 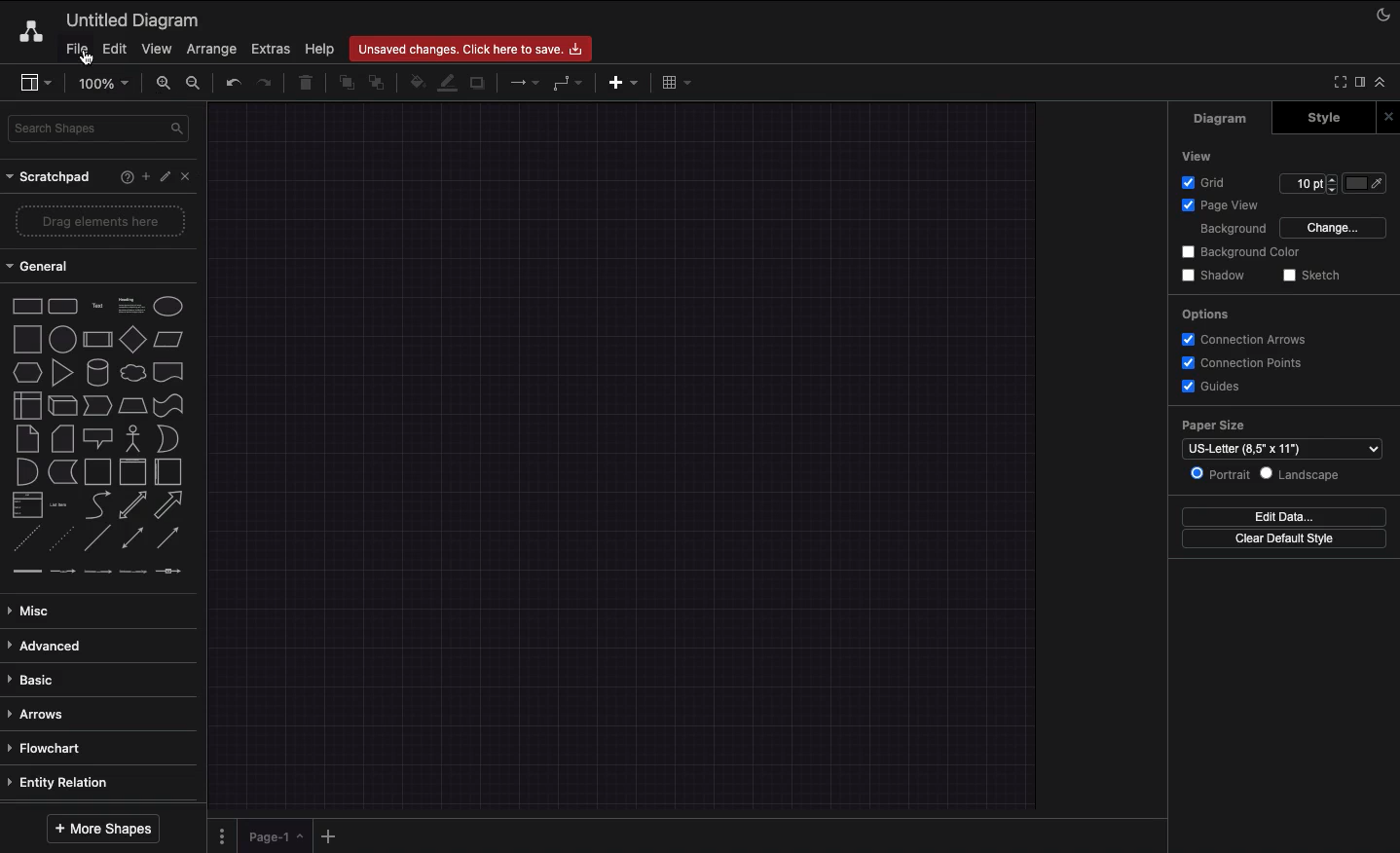 What do you see at coordinates (1307, 181) in the screenshot?
I see `10 pt` at bounding box center [1307, 181].